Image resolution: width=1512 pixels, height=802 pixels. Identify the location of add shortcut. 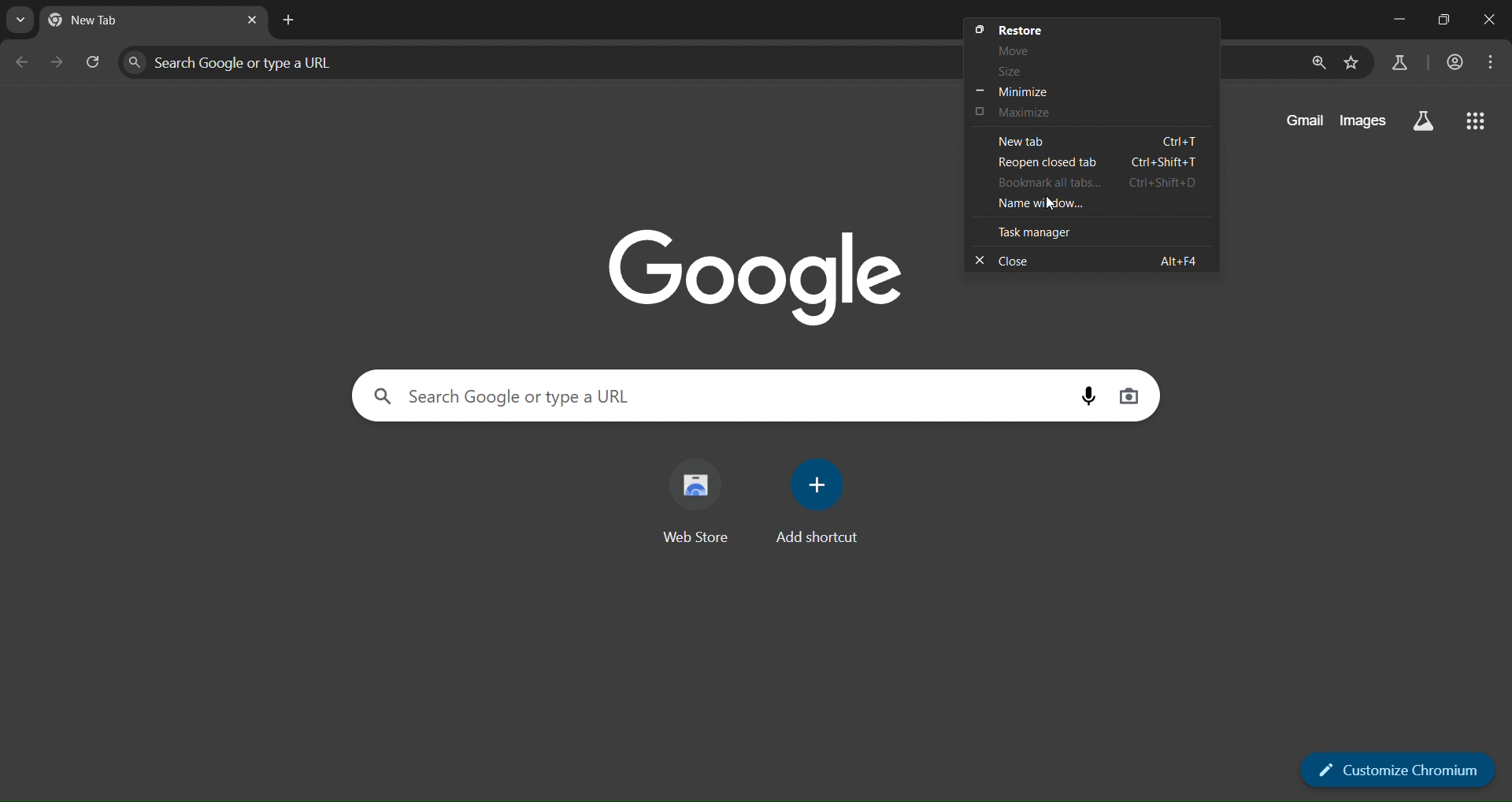
(816, 499).